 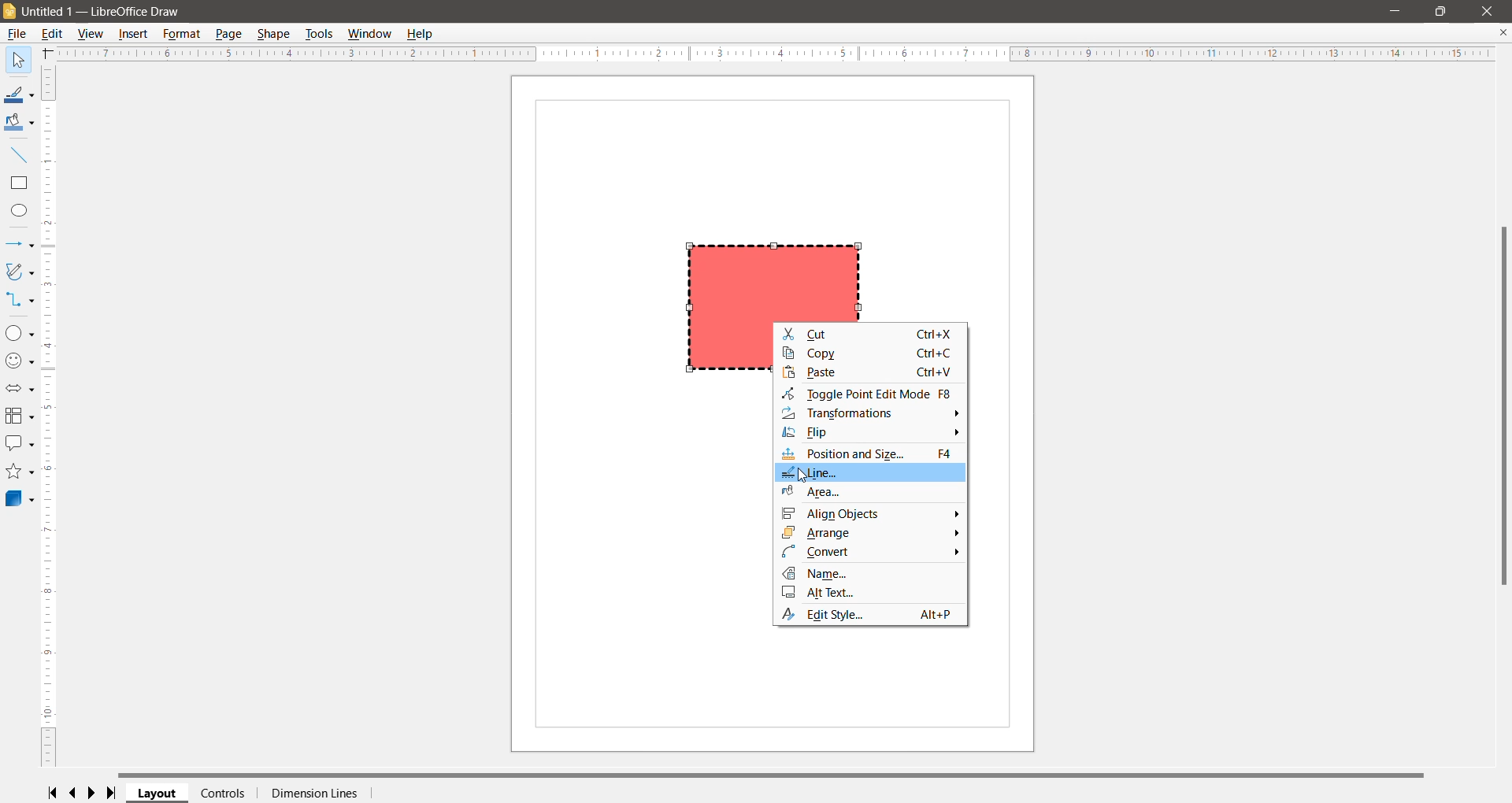 I want to click on Edit Style, so click(x=870, y=613).